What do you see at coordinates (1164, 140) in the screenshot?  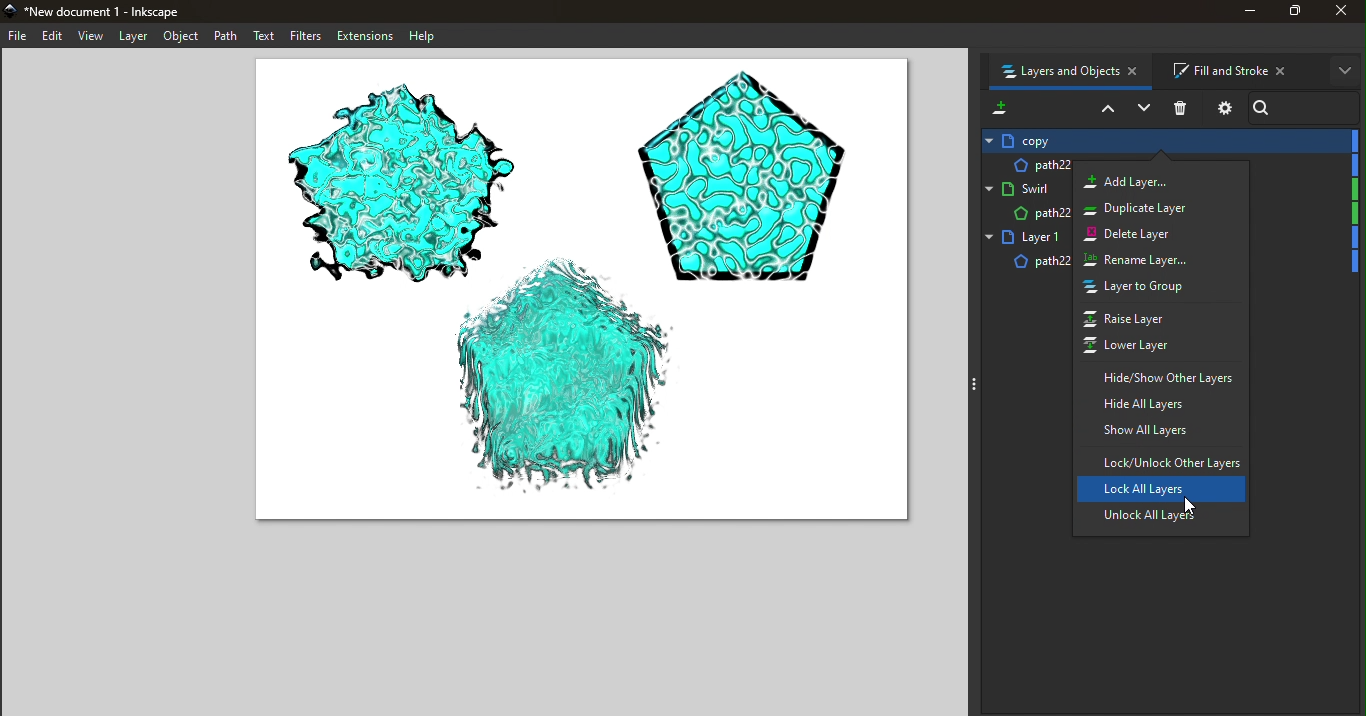 I see `copy layer` at bounding box center [1164, 140].